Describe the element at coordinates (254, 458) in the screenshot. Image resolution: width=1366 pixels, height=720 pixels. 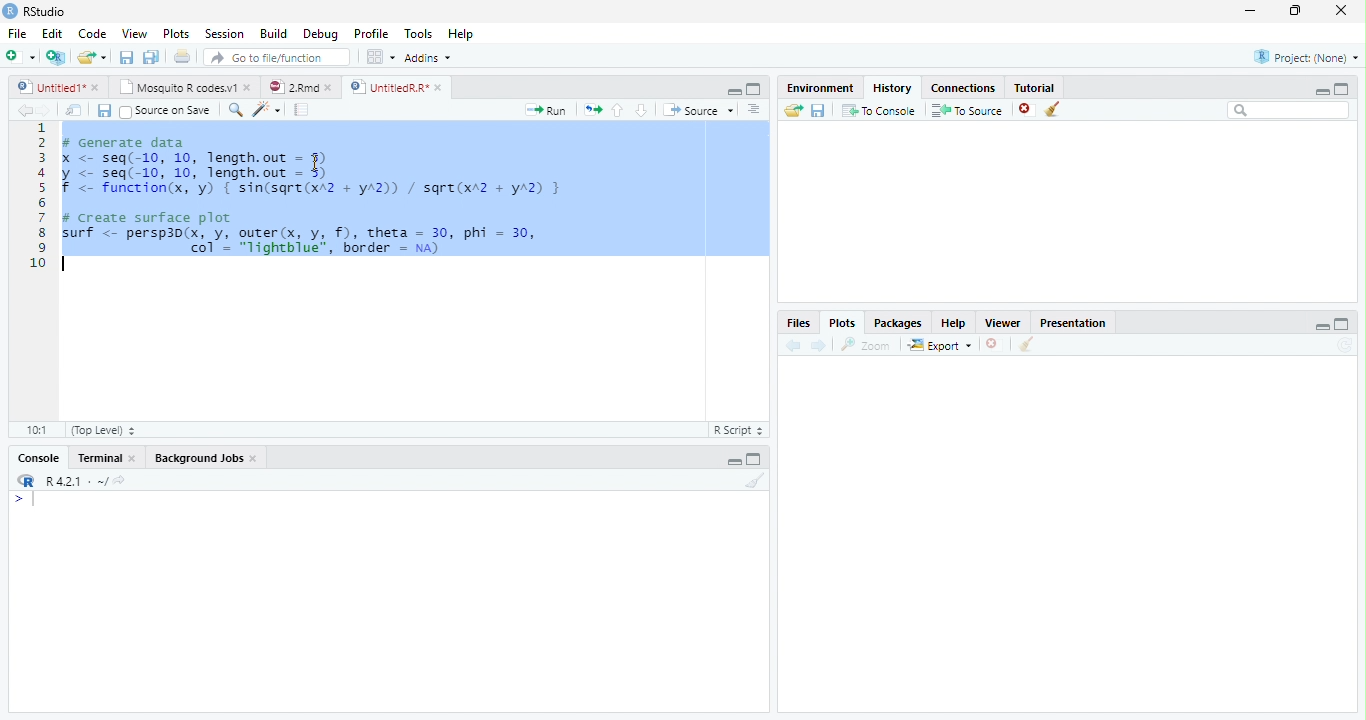
I see `Close` at that location.